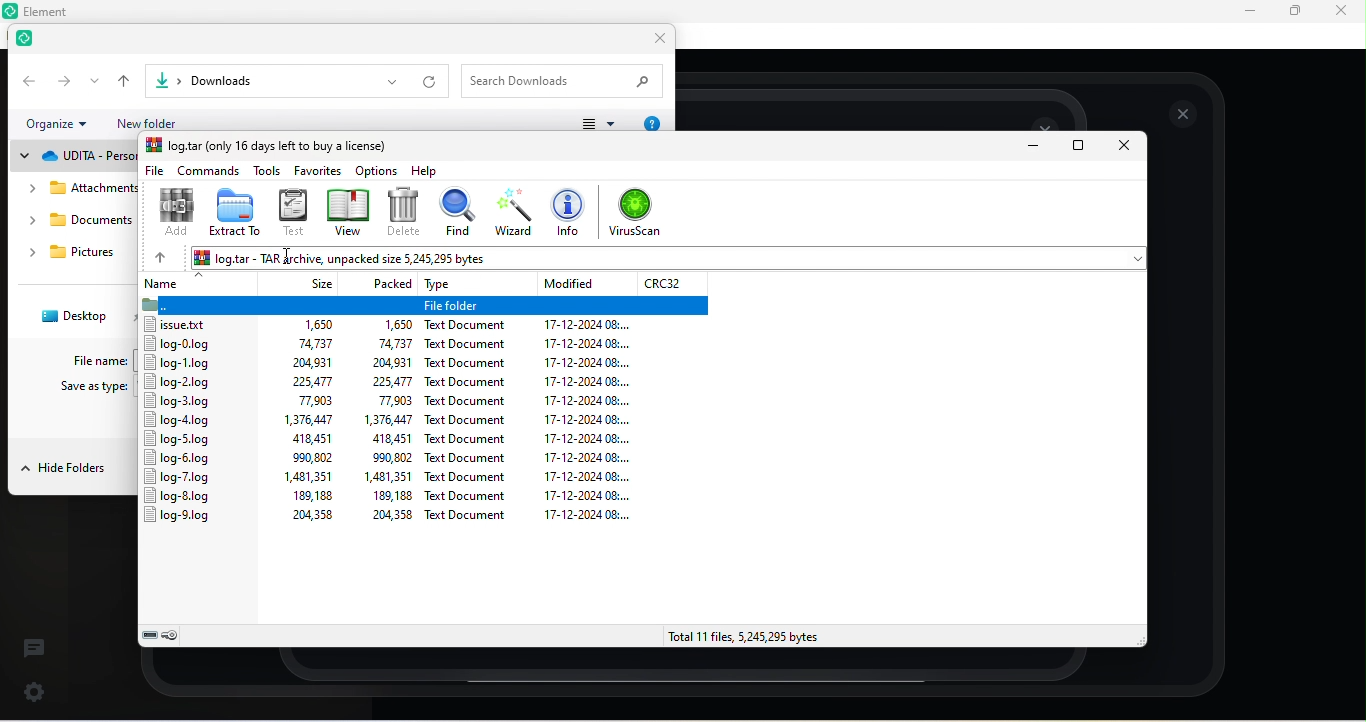 Image resolution: width=1366 pixels, height=722 pixels. I want to click on 1,650, so click(400, 324).